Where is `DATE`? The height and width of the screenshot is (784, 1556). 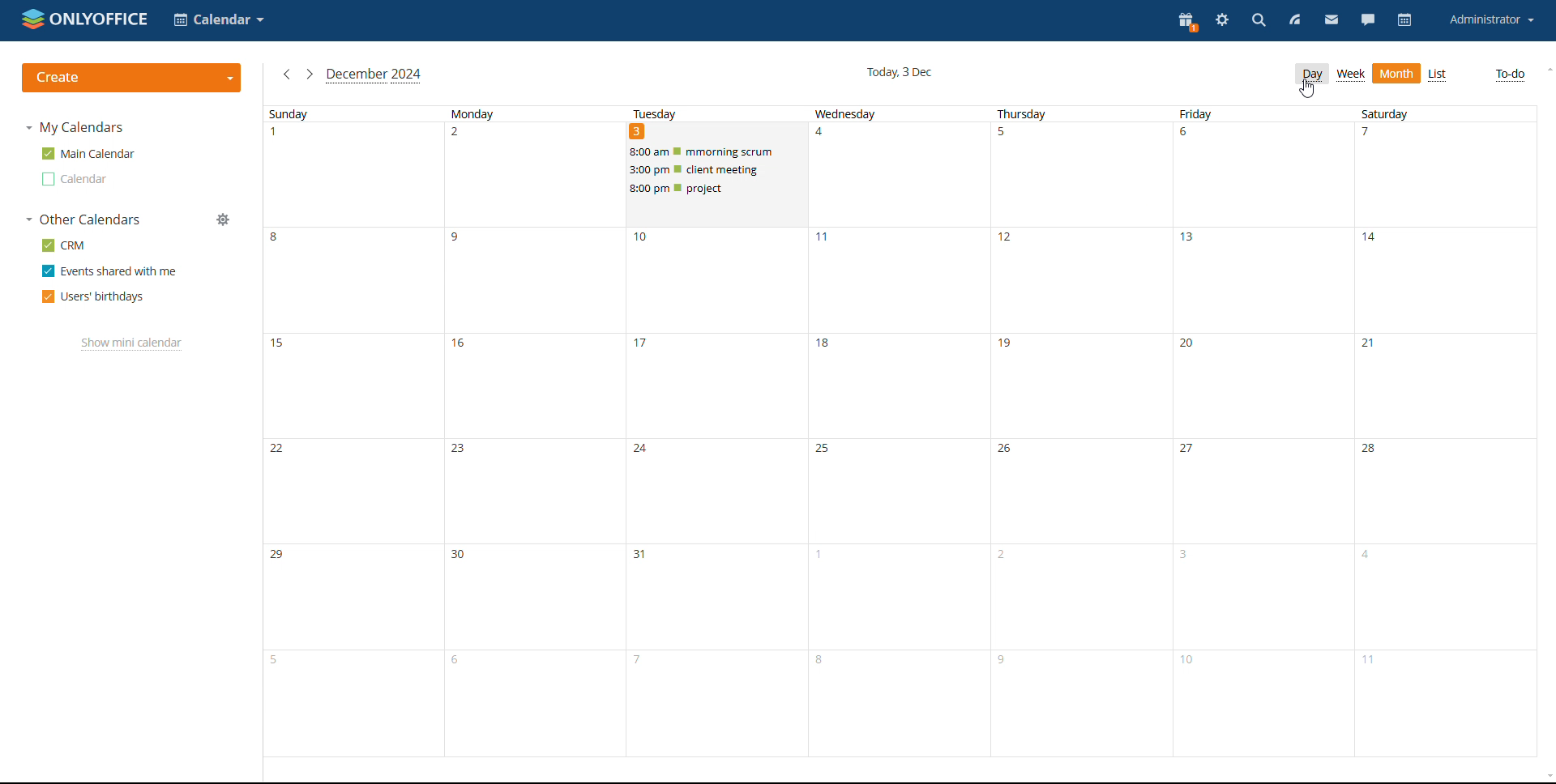 DATE is located at coordinates (639, 130).